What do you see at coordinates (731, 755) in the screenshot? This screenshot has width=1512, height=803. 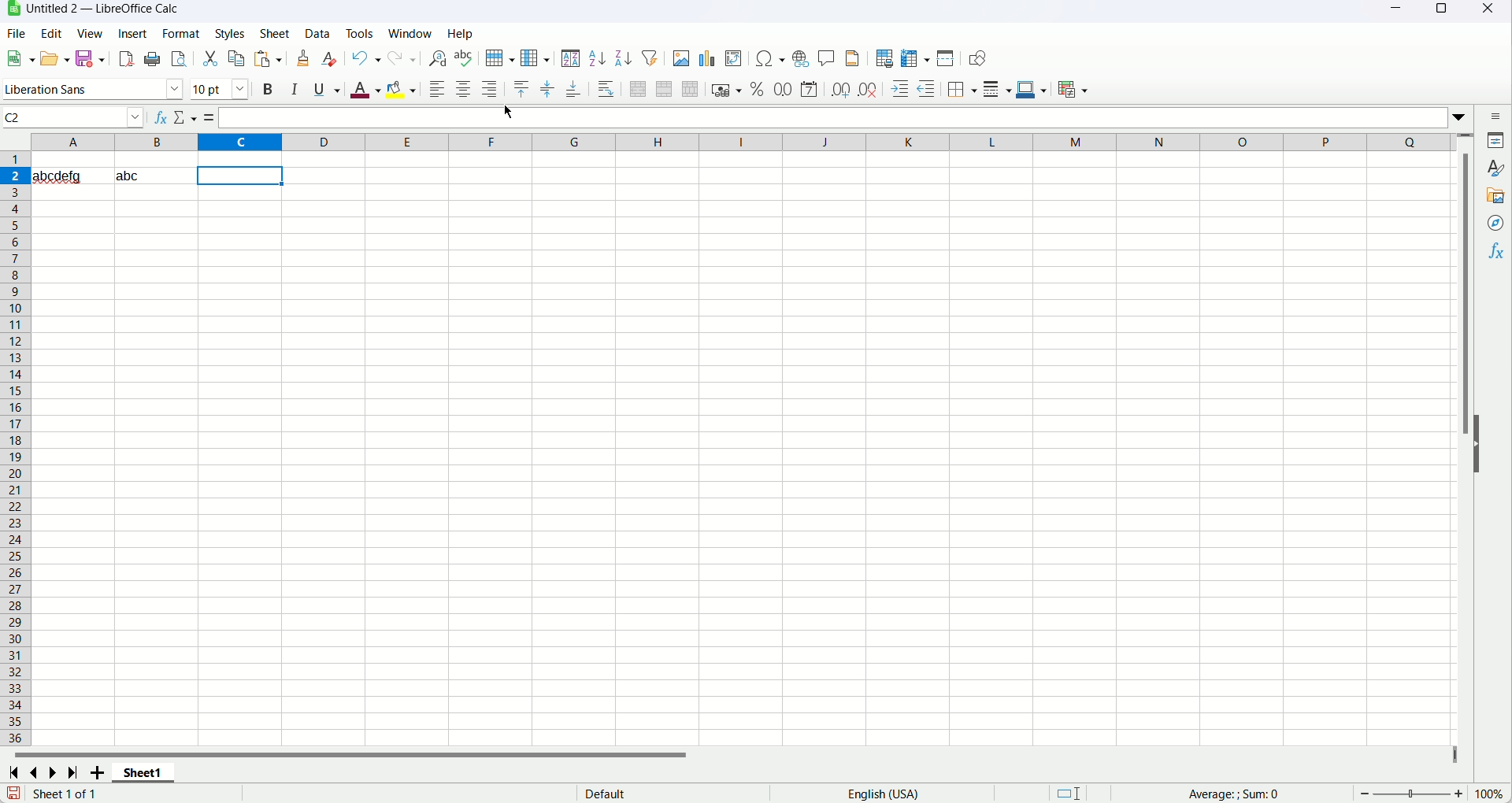 I see `horizontal scroll bar` at bounding box center [731, 755].